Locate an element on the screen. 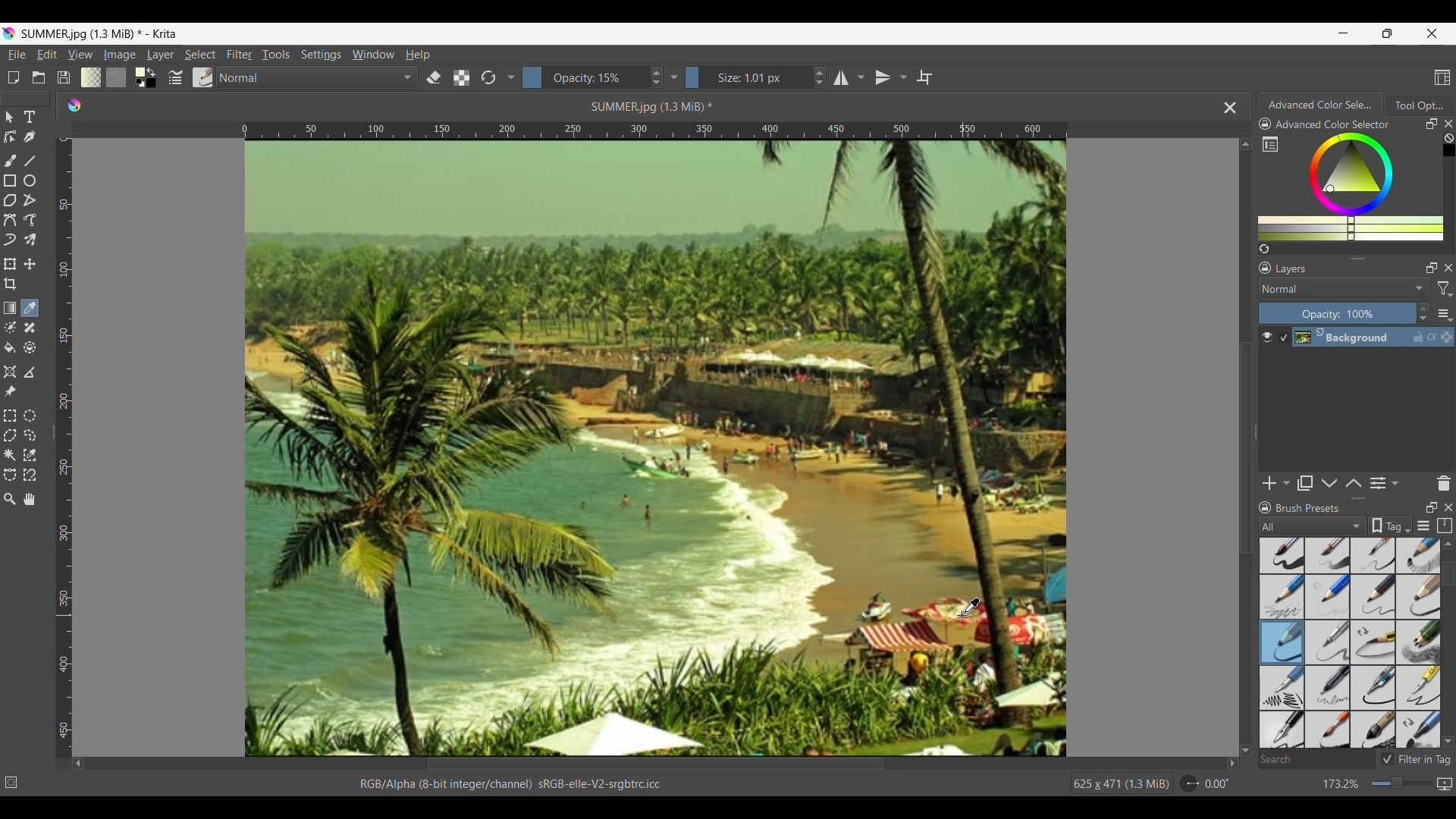 This screenshot has width=1456, height=819. File menu is located at coordinates (17, 55).